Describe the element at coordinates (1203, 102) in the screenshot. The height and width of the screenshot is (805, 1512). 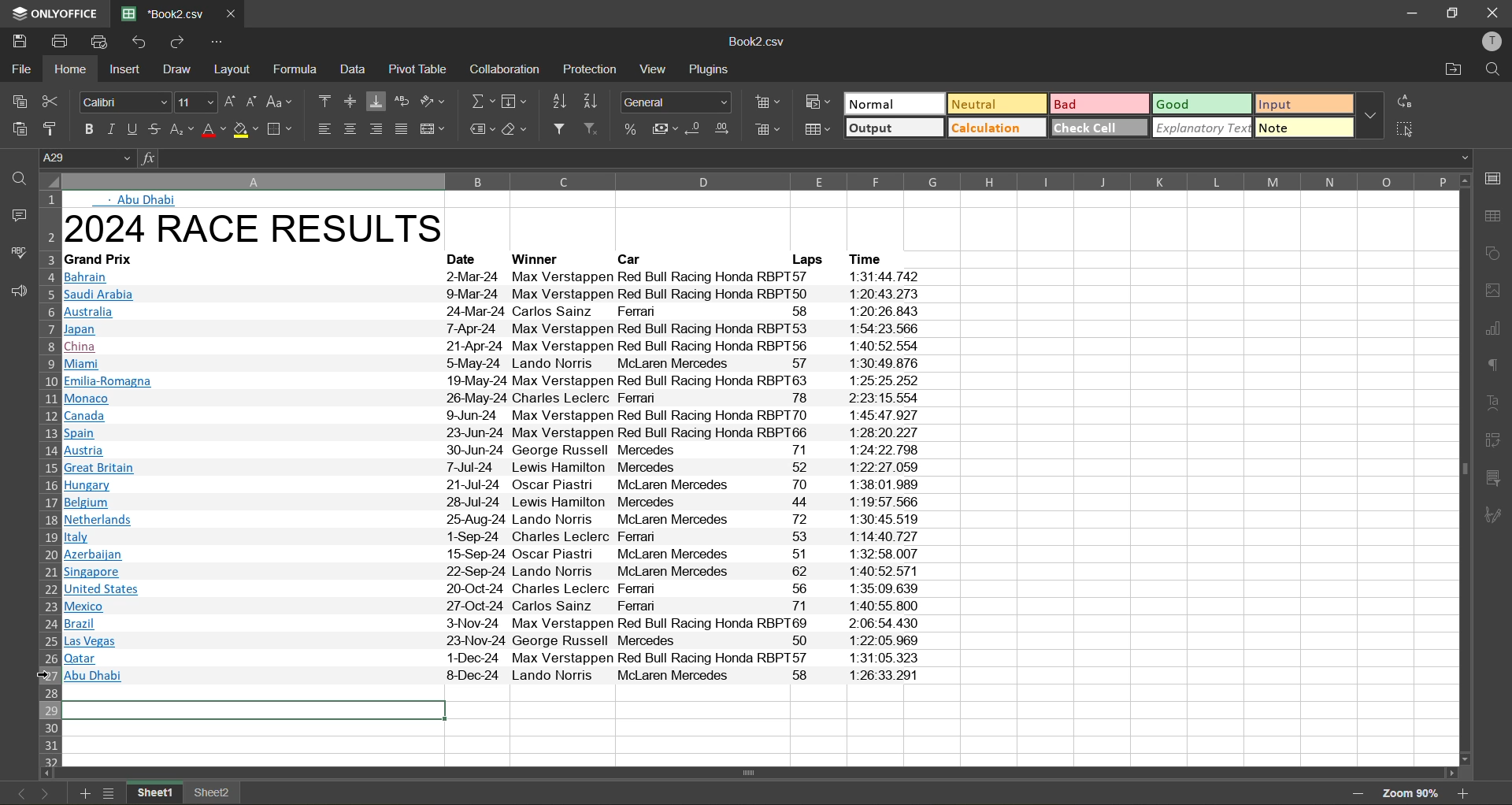
I see `good` at that location.